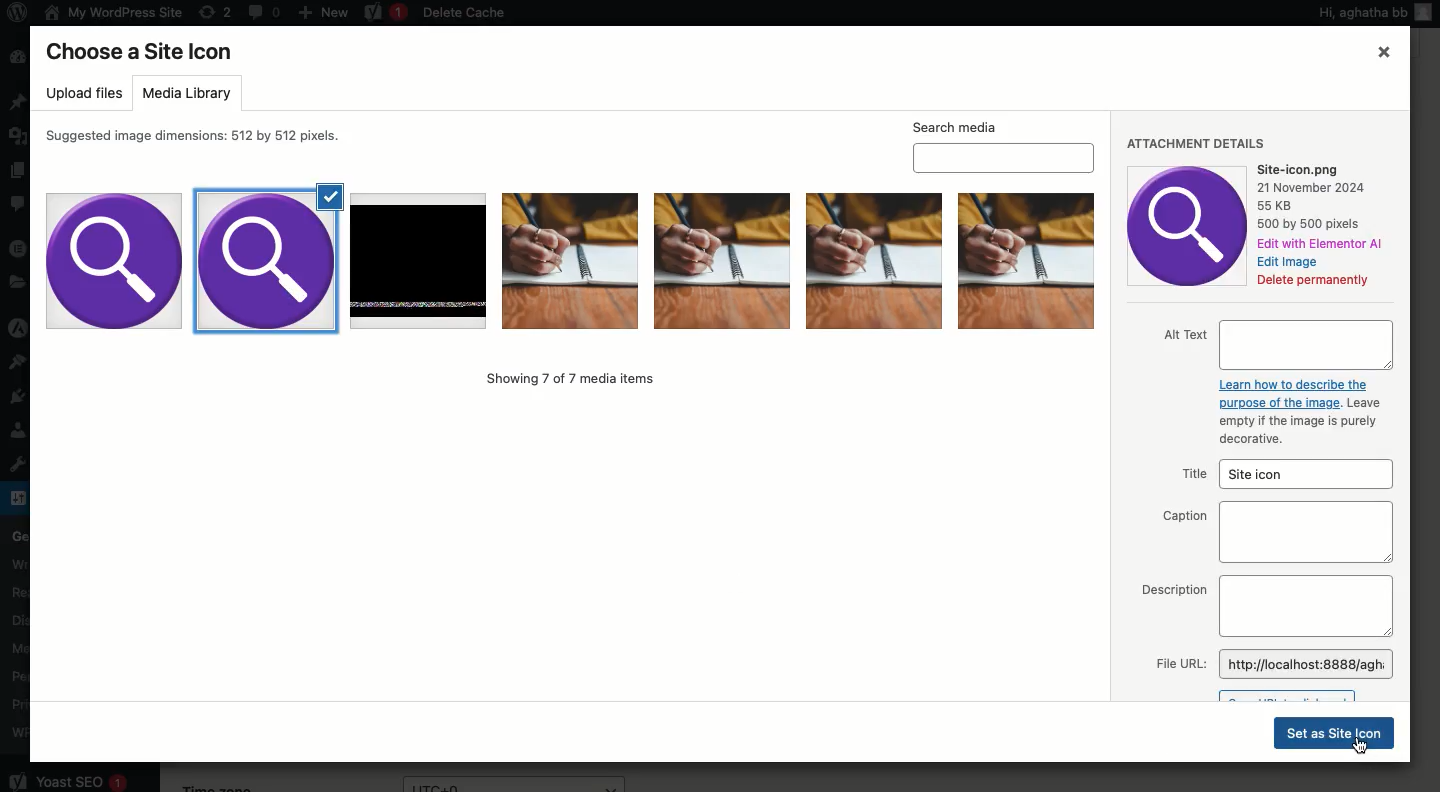 This screenshot has height=792, width=1440. What do you see at coordinates (16, 58) in the screenshot?
I see `Dashboard` at bounding box center [16, 58].